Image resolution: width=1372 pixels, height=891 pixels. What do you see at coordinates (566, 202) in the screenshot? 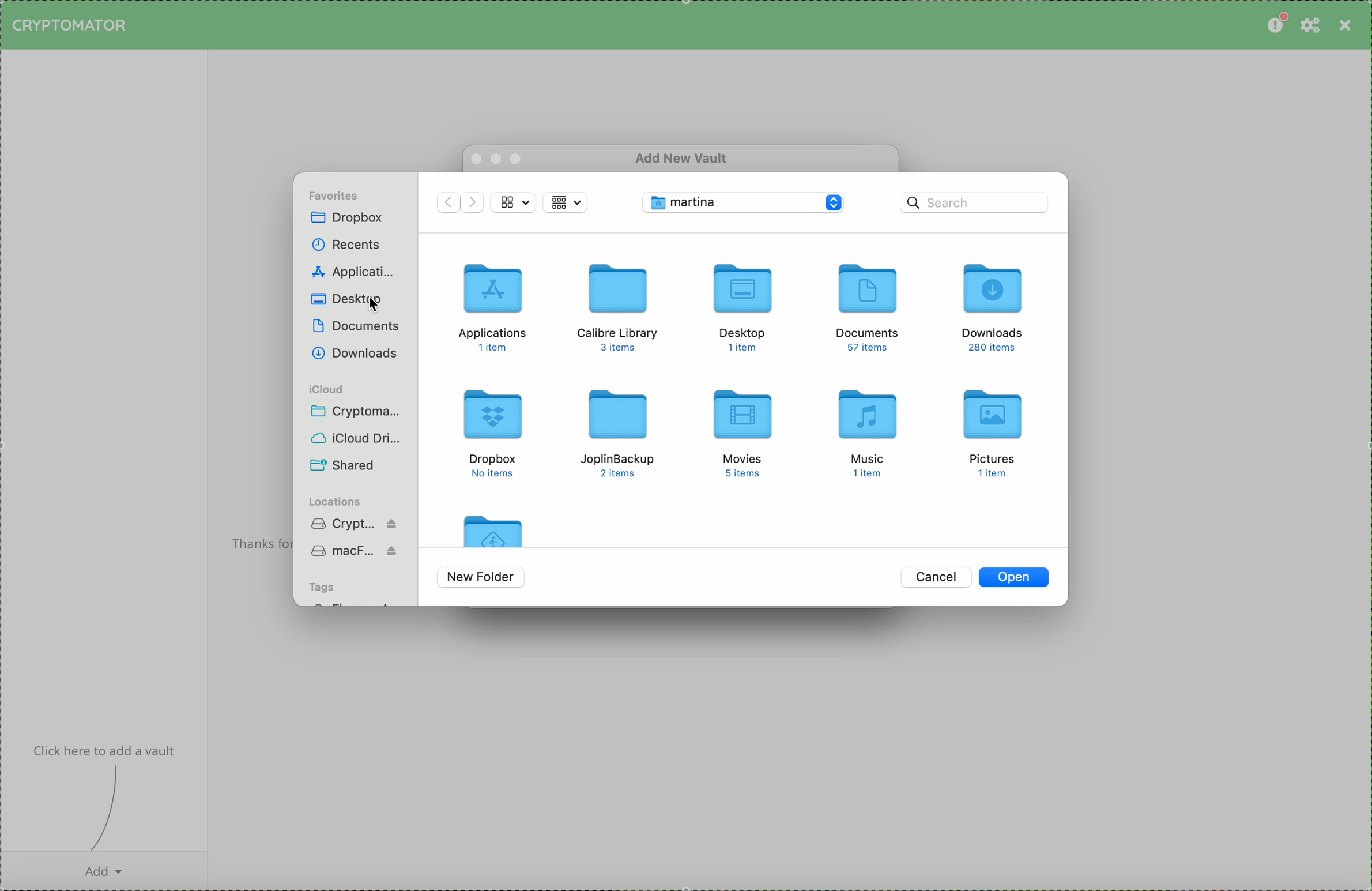
I see `view` at bounding box center [566, 202].